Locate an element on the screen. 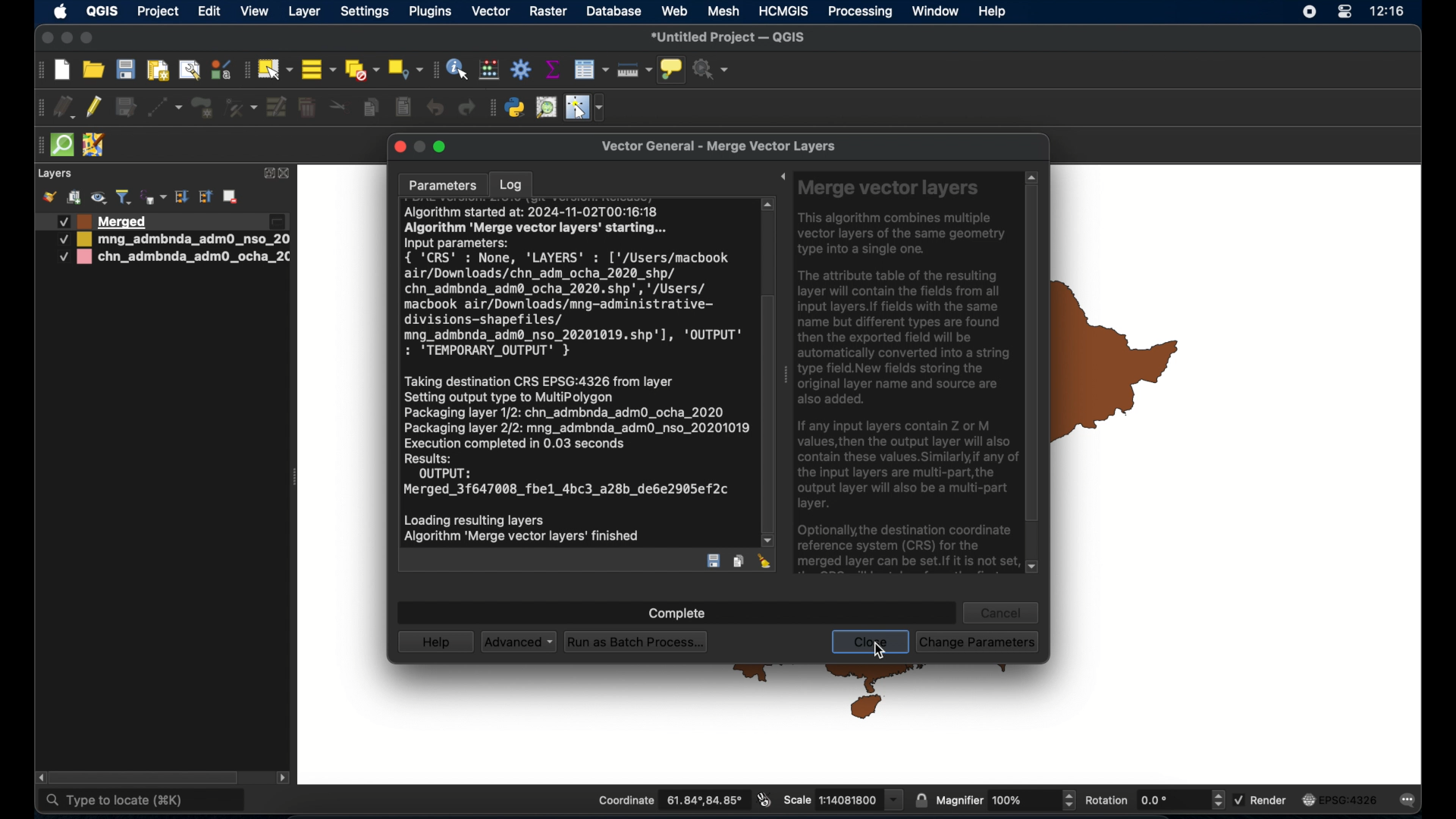  close is located at coordinates (45, 39).